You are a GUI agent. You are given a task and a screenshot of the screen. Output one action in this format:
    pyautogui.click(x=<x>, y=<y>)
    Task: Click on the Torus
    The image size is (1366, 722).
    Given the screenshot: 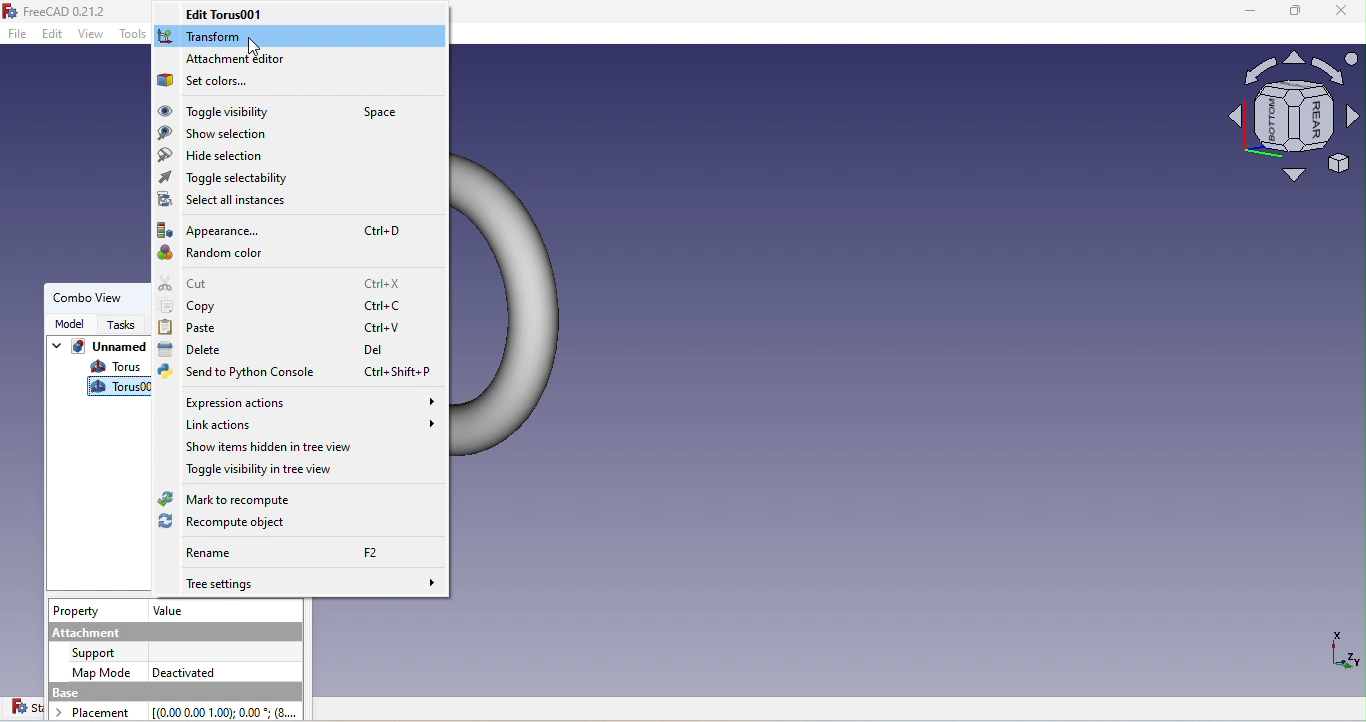 What is the action you would take?
    pyautogui.click(x=119, y=368)
    